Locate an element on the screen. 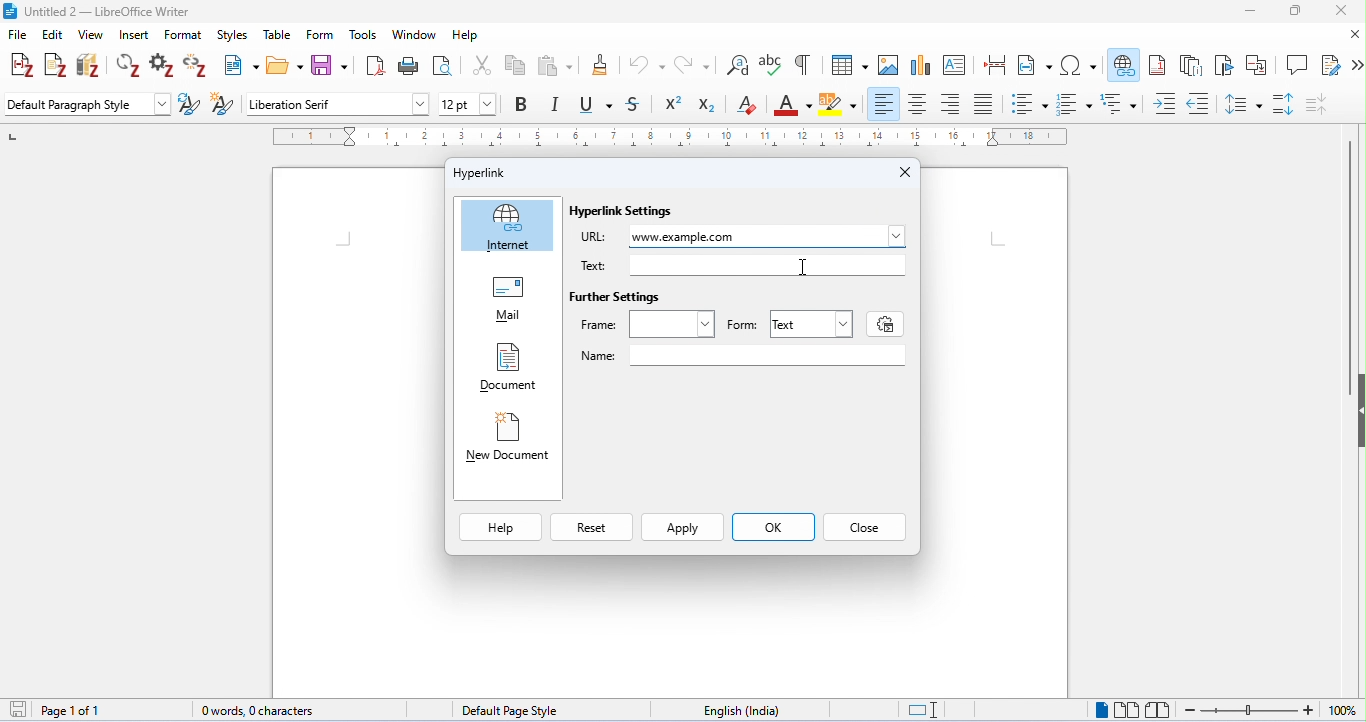  0 words, 0 characters is located at coordinates (260, 711).